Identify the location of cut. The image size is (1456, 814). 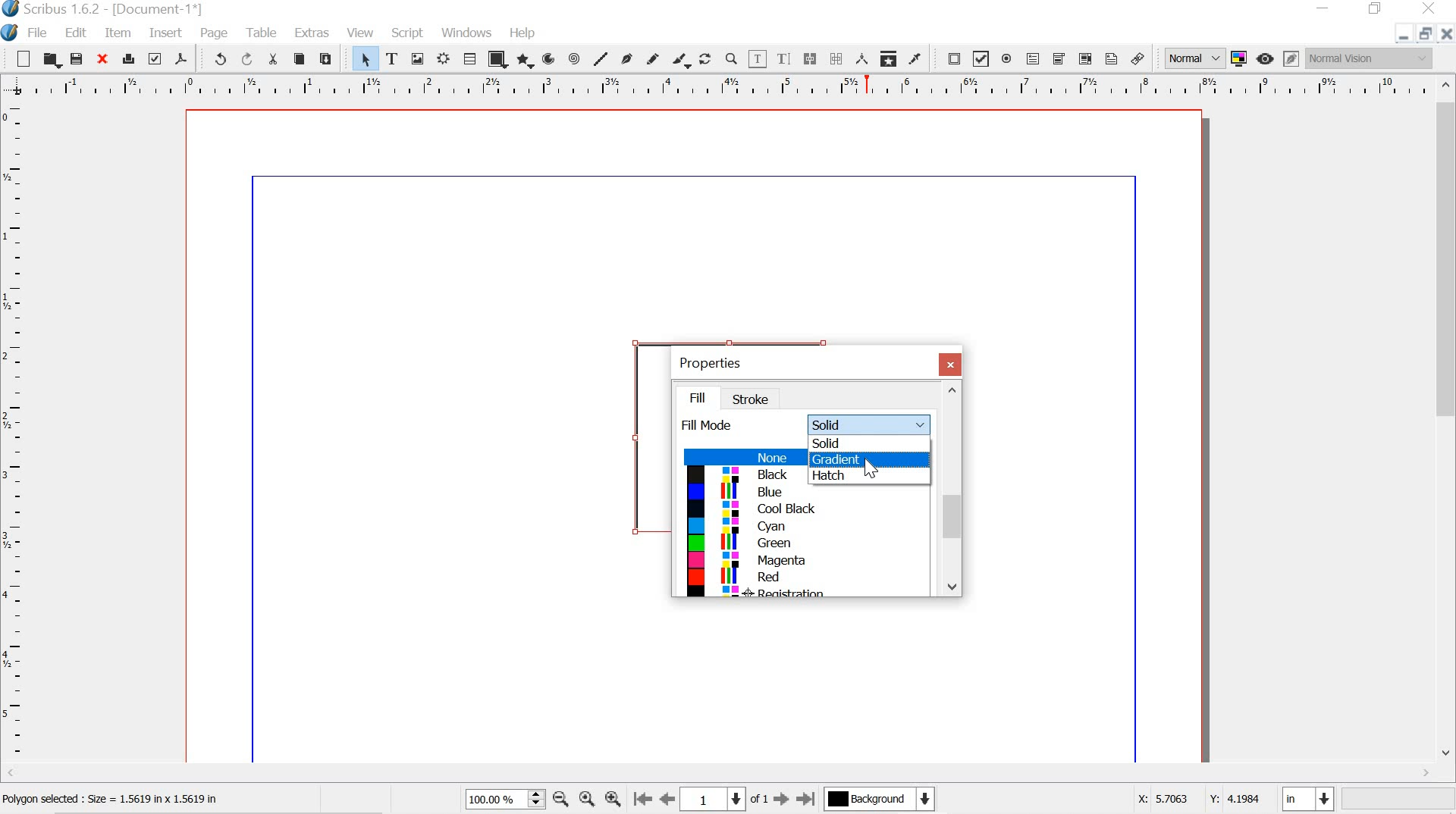
(275, 59).